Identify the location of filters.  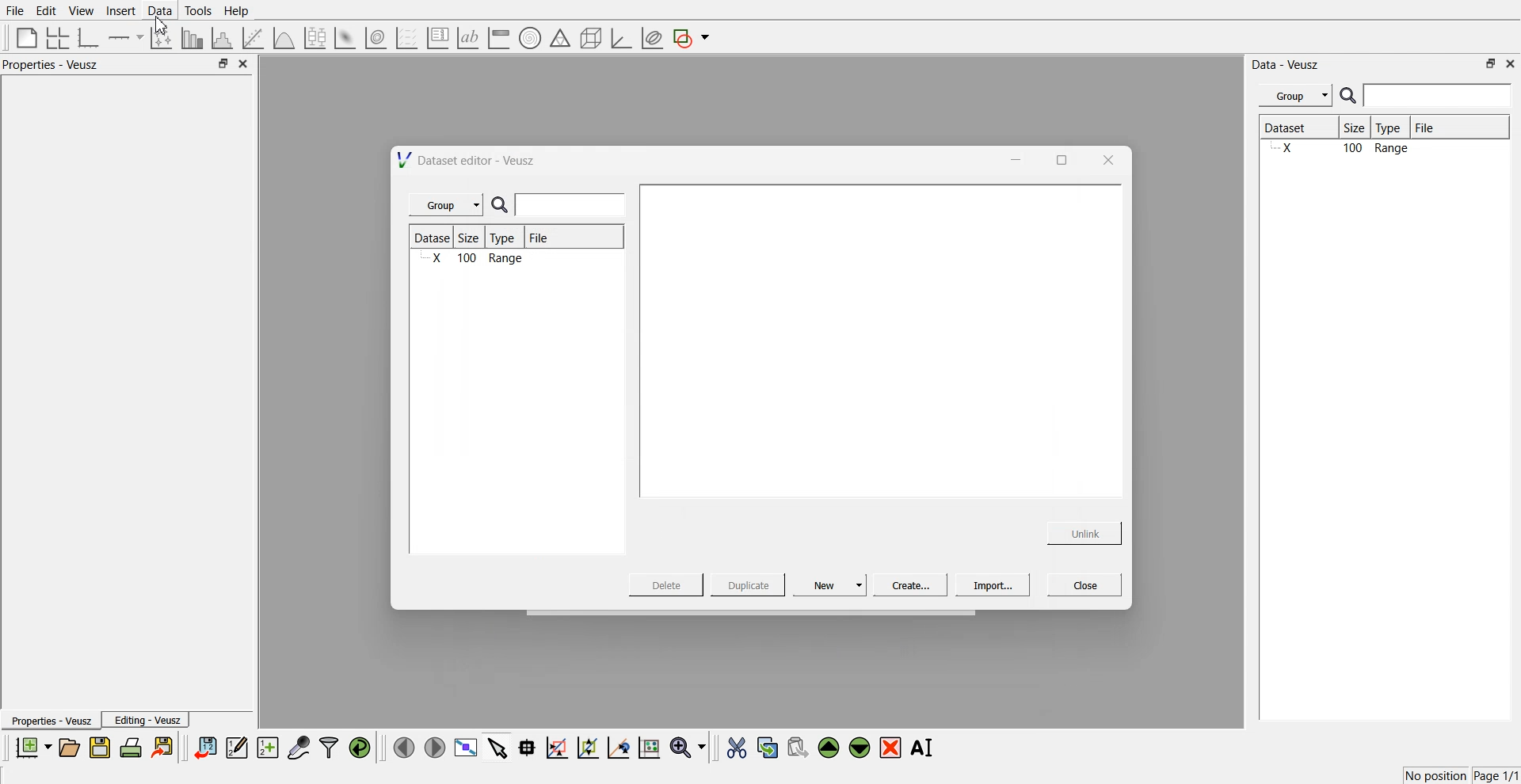
(327, 748).